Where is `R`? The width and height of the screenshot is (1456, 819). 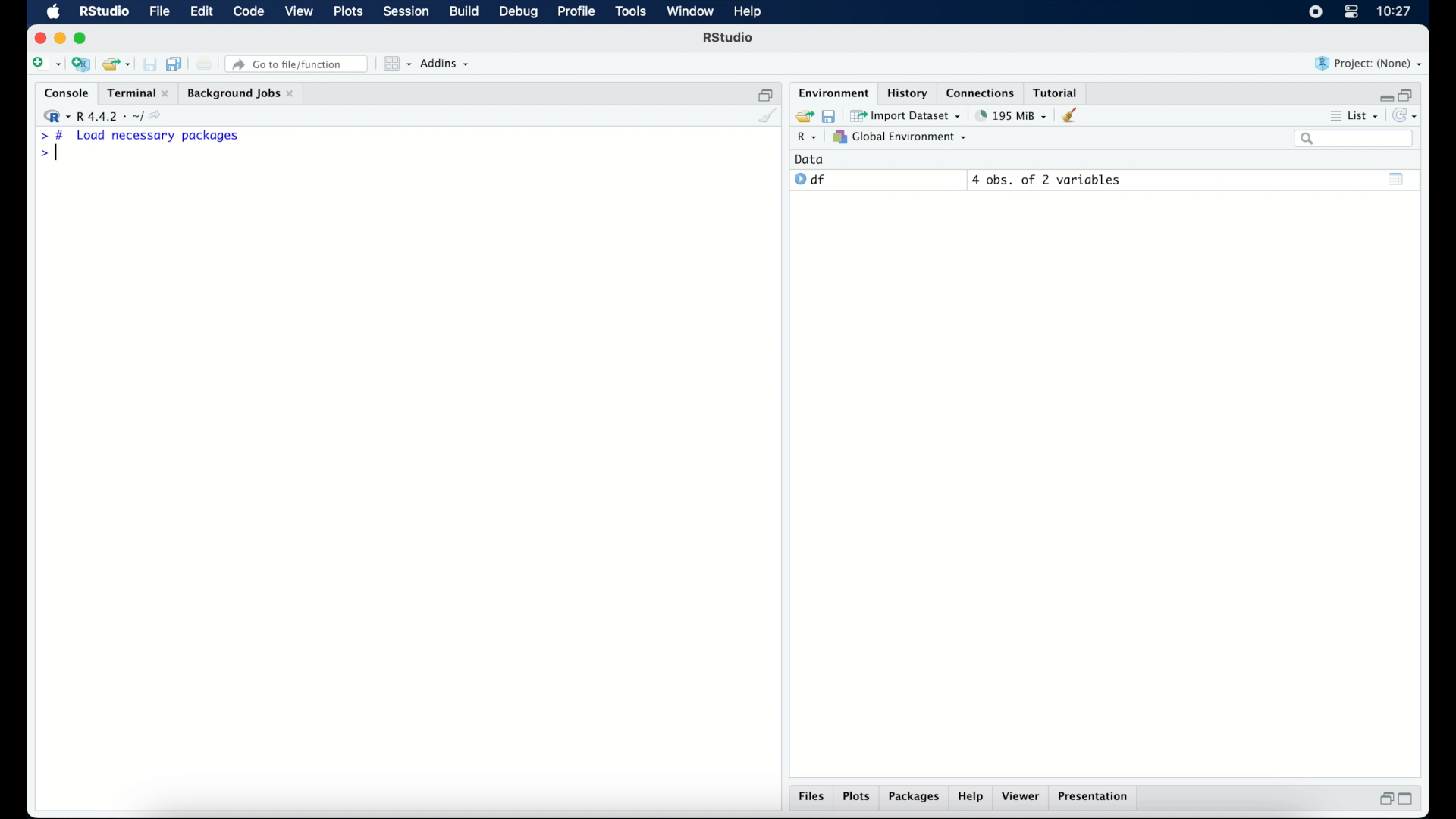 R is located at coordinates (805, 139).